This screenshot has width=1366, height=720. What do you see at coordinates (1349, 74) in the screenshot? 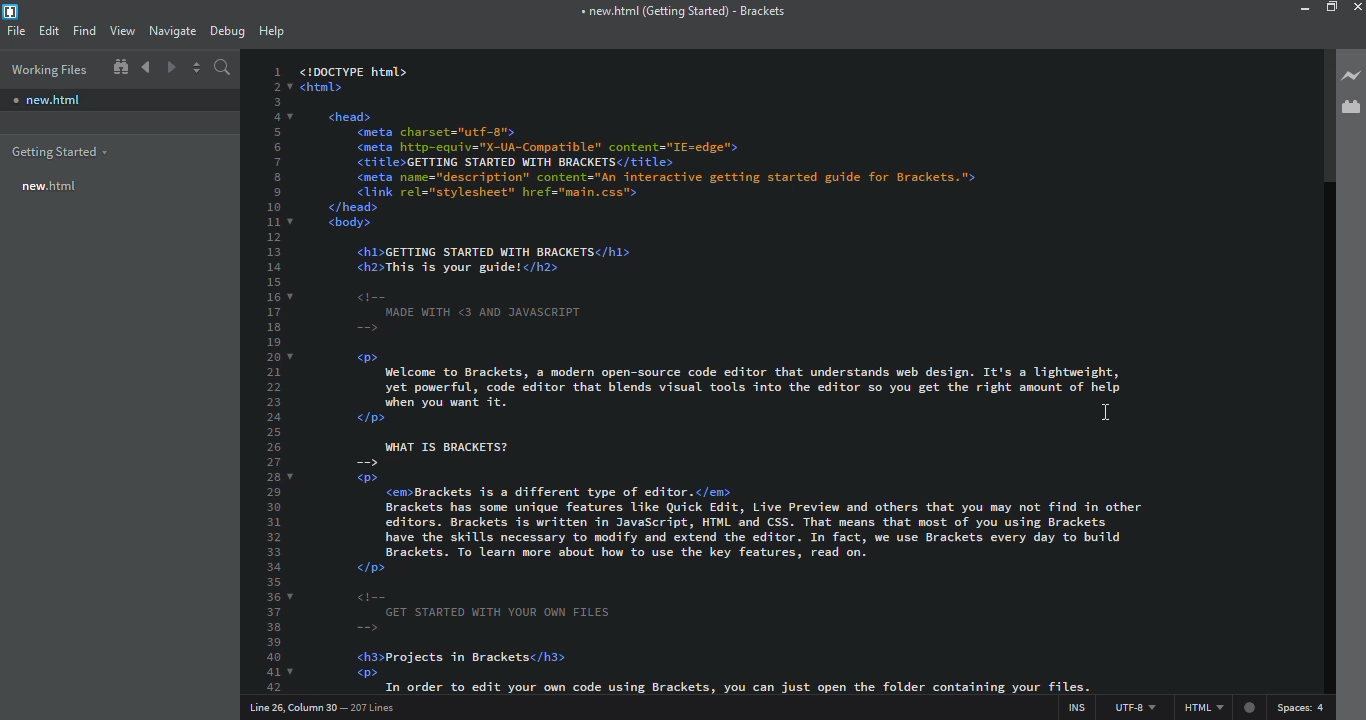
I see `live preview` at bounding box center [1349, 74].